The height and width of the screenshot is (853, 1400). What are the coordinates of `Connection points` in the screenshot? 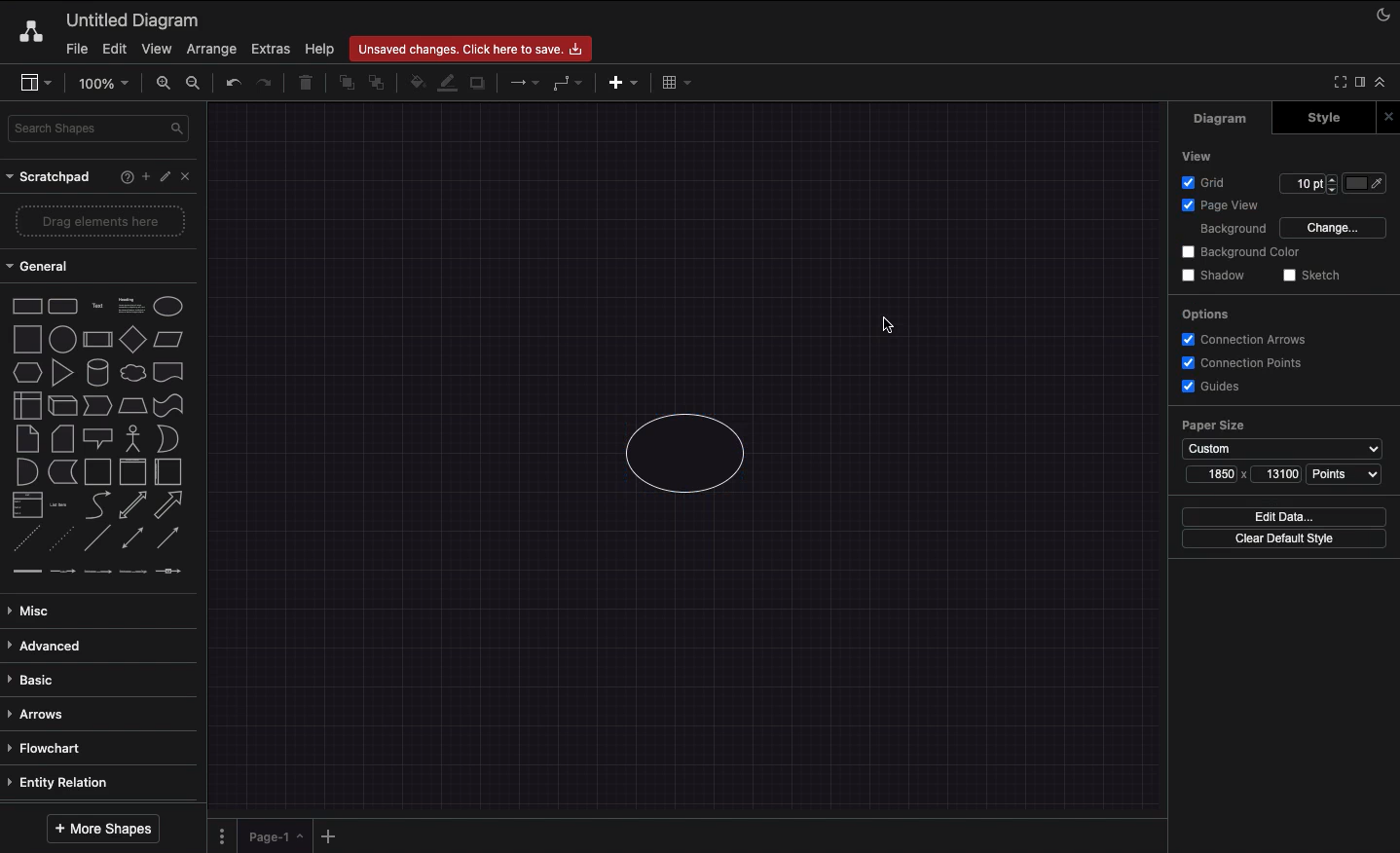 It's located at (1243, 362).